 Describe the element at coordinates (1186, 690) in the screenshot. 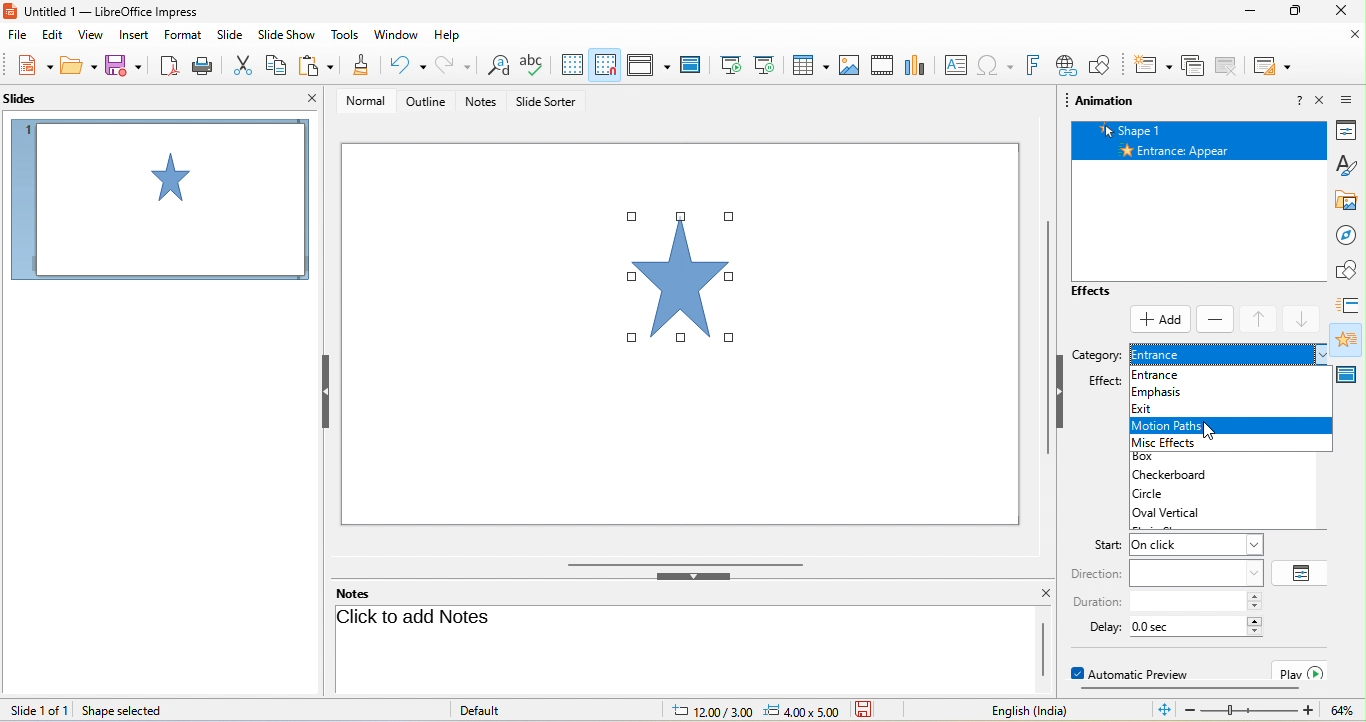

I see `horizontal scroll bar` at that location.